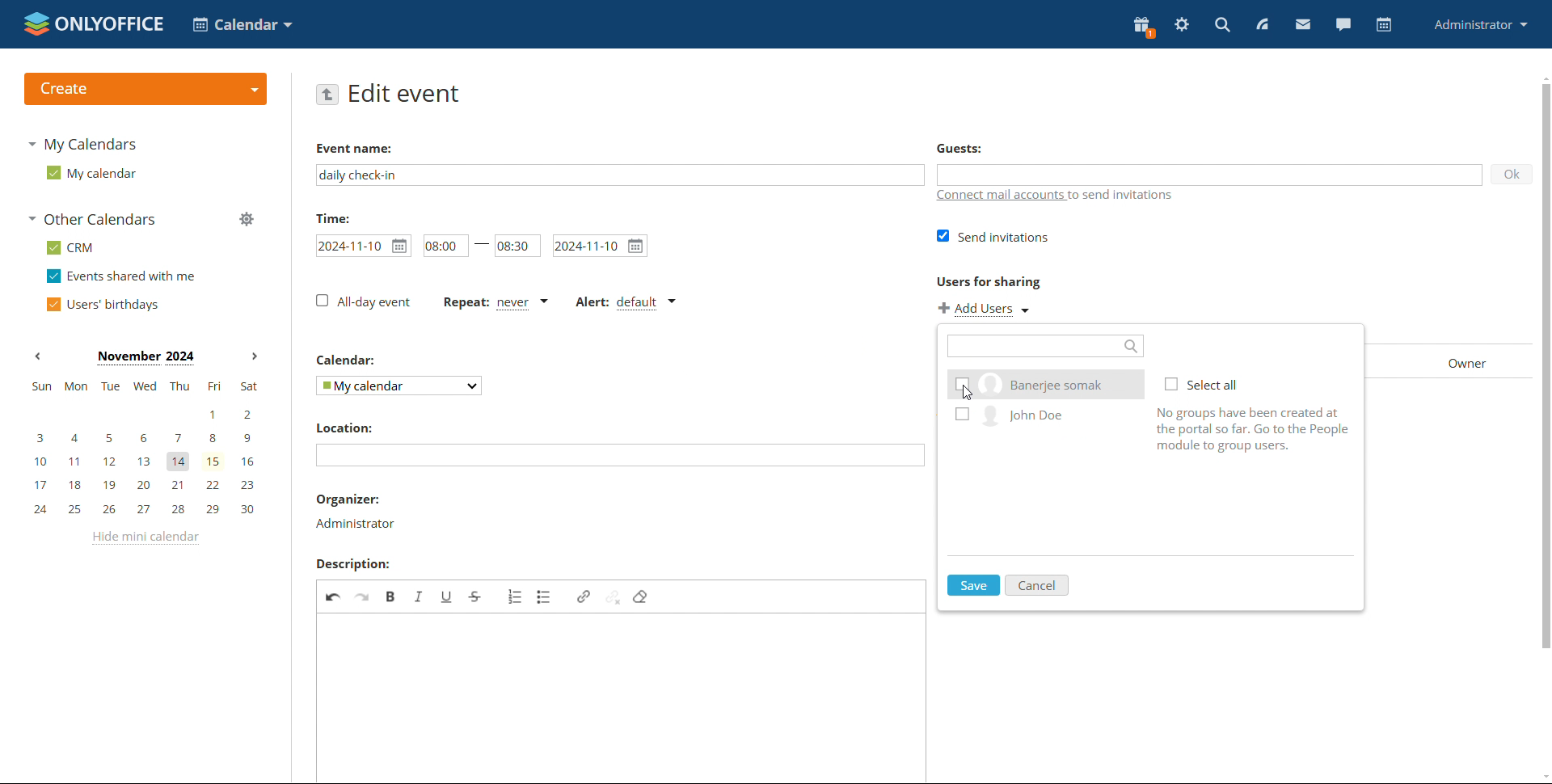 Image resolution: width=1552 pixels, height=784 pixels. I want to click on link, so click(584, 596).